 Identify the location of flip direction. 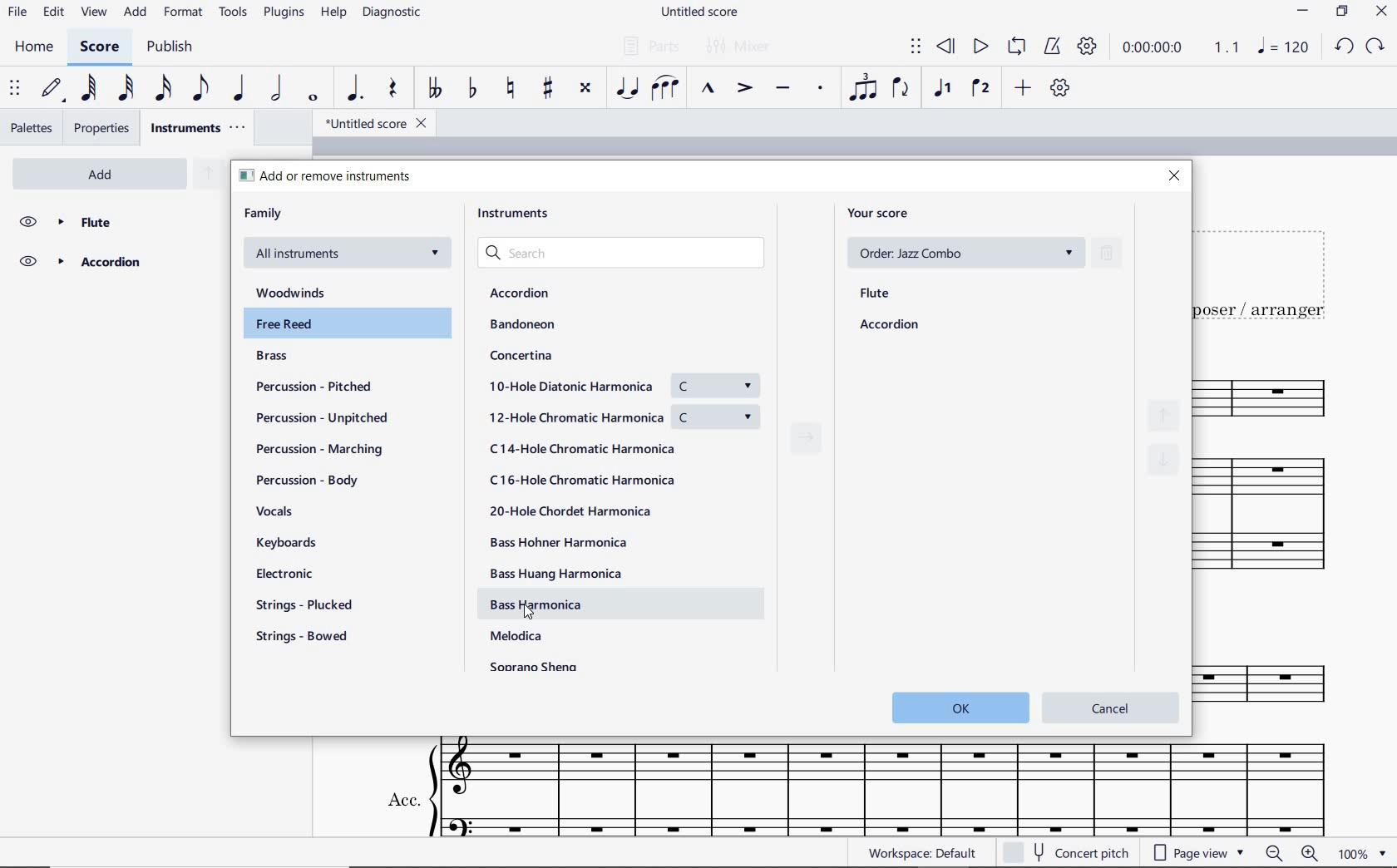
(902, 89).